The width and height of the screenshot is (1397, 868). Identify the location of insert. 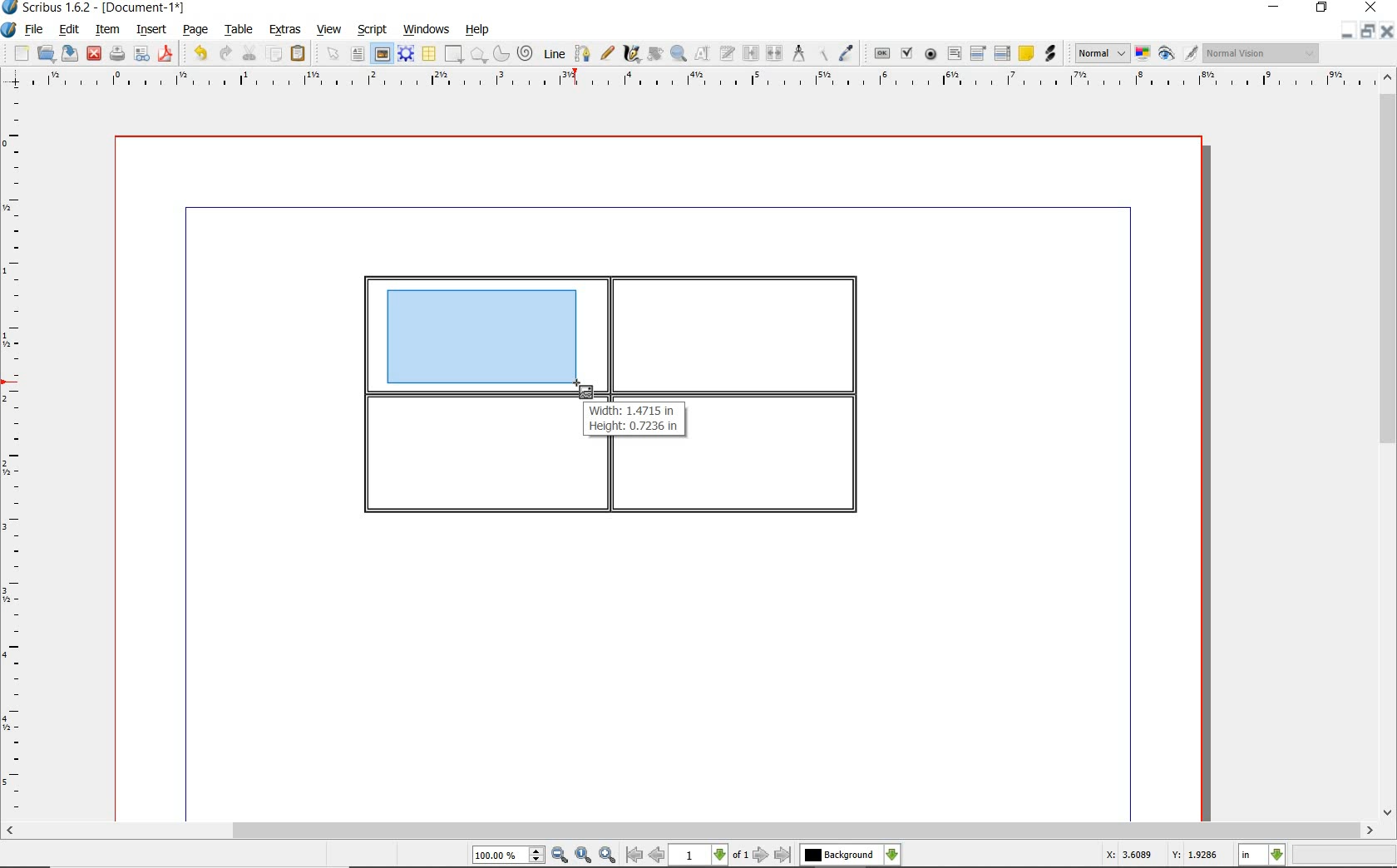
(150, 31).